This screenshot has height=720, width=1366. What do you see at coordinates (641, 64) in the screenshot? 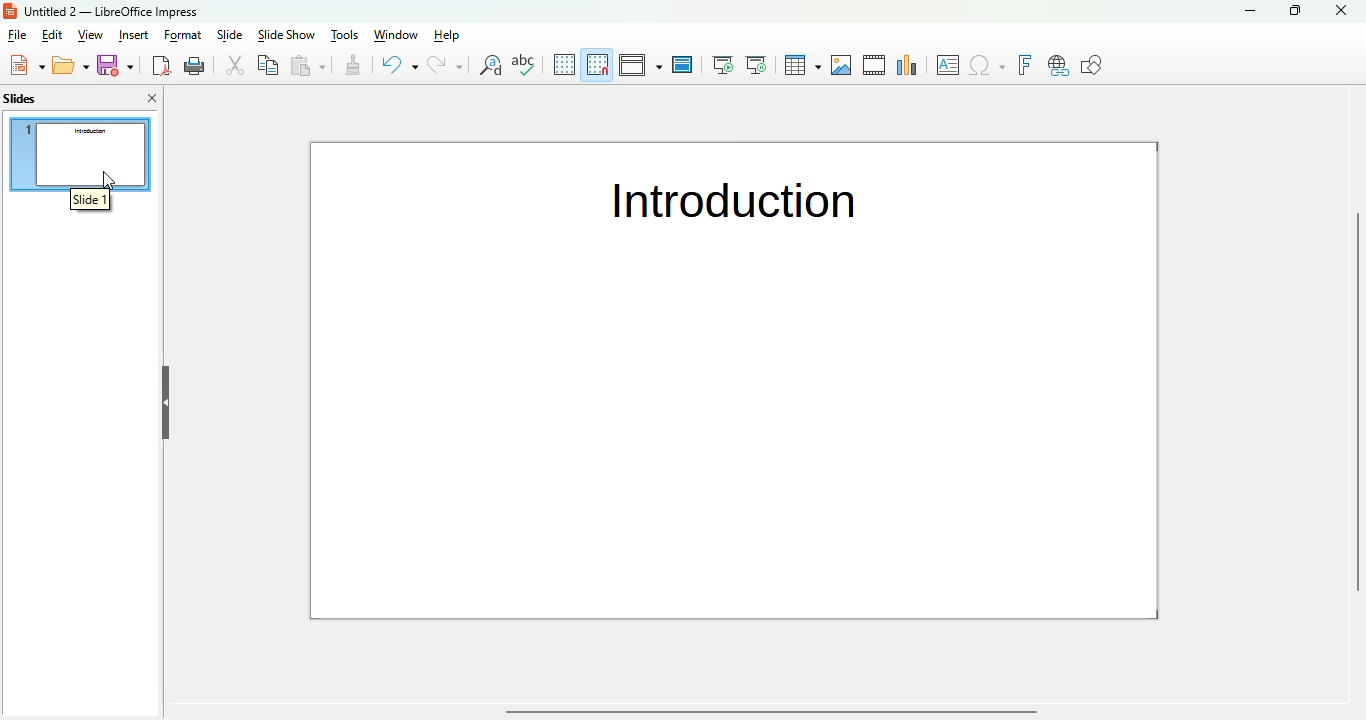
I see `display views` at bounding box center [641, 64].